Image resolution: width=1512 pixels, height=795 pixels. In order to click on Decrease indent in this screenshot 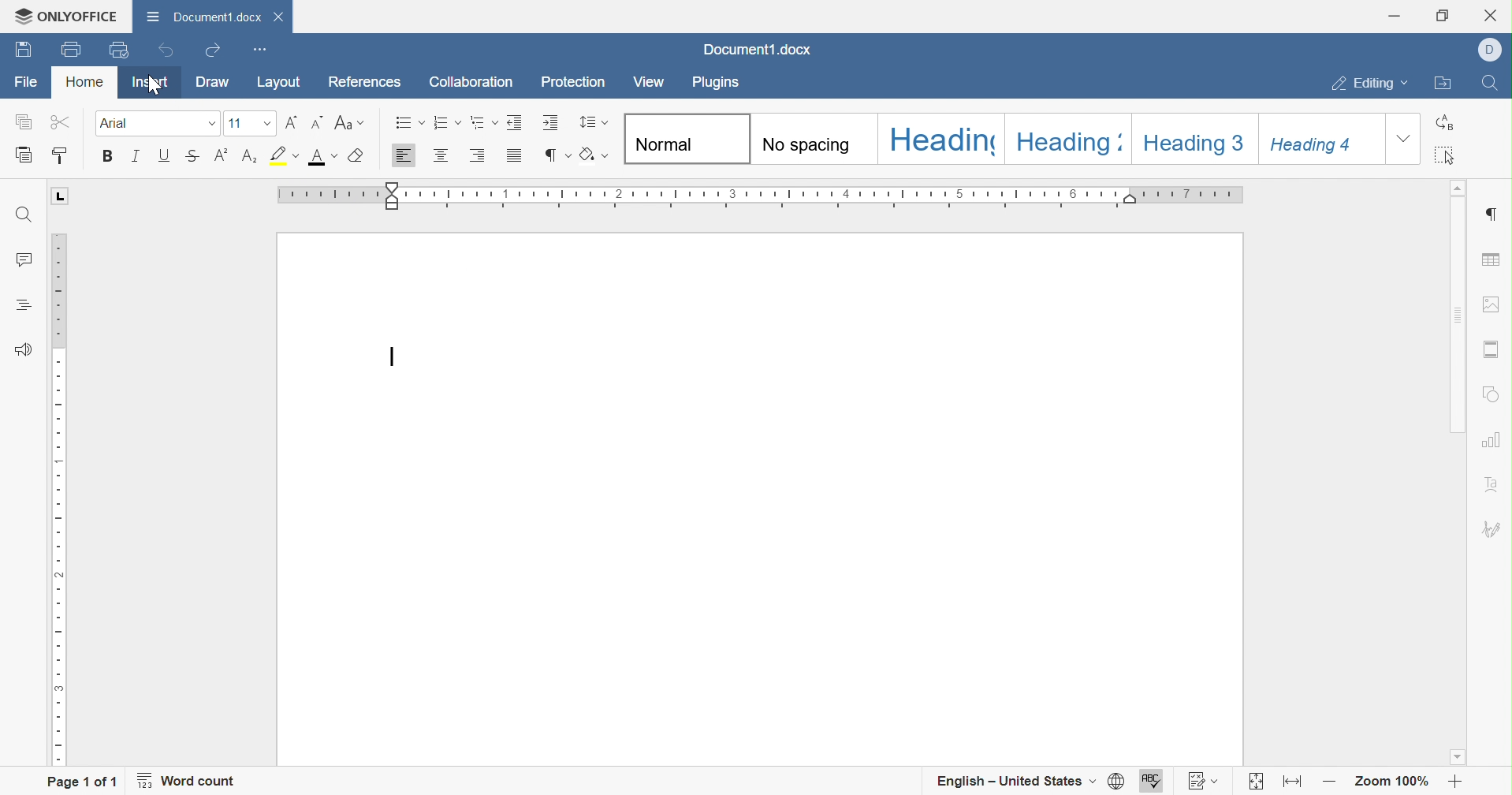, I will do `click(515, 121)`.